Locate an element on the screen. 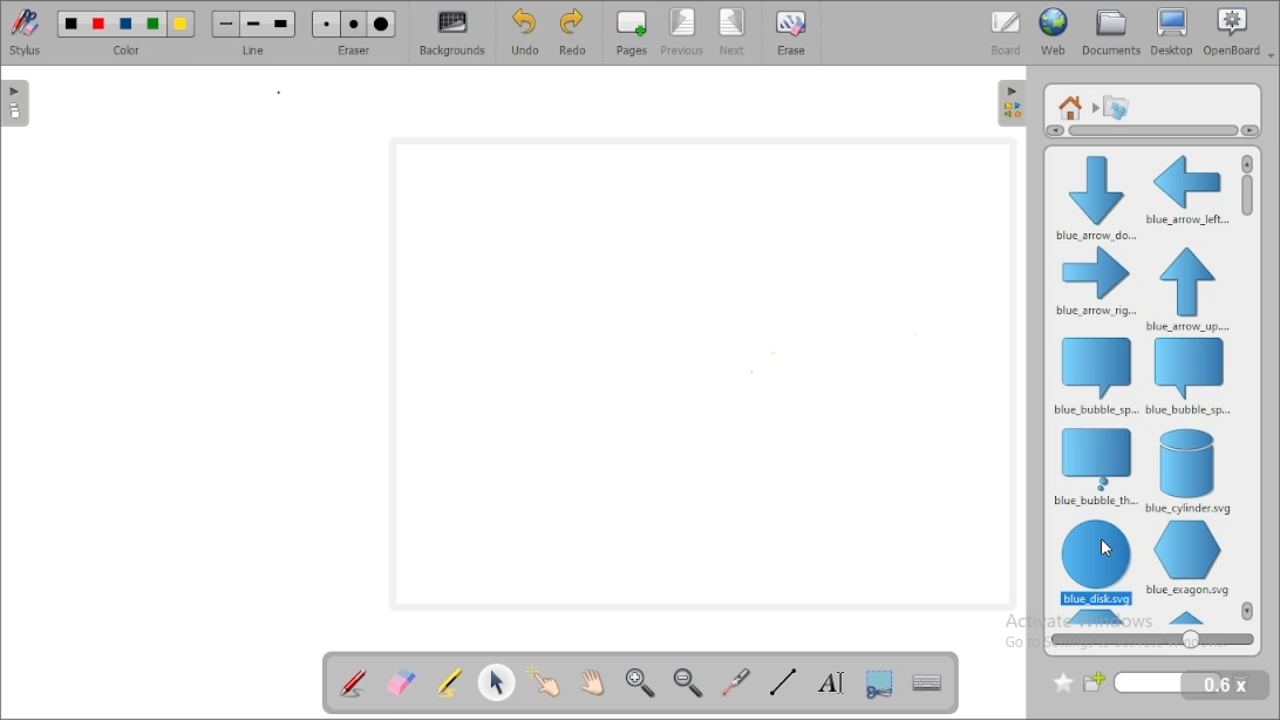 This screenshot has width=1280, height=720. new folder is located at coordinates (1154, 683).